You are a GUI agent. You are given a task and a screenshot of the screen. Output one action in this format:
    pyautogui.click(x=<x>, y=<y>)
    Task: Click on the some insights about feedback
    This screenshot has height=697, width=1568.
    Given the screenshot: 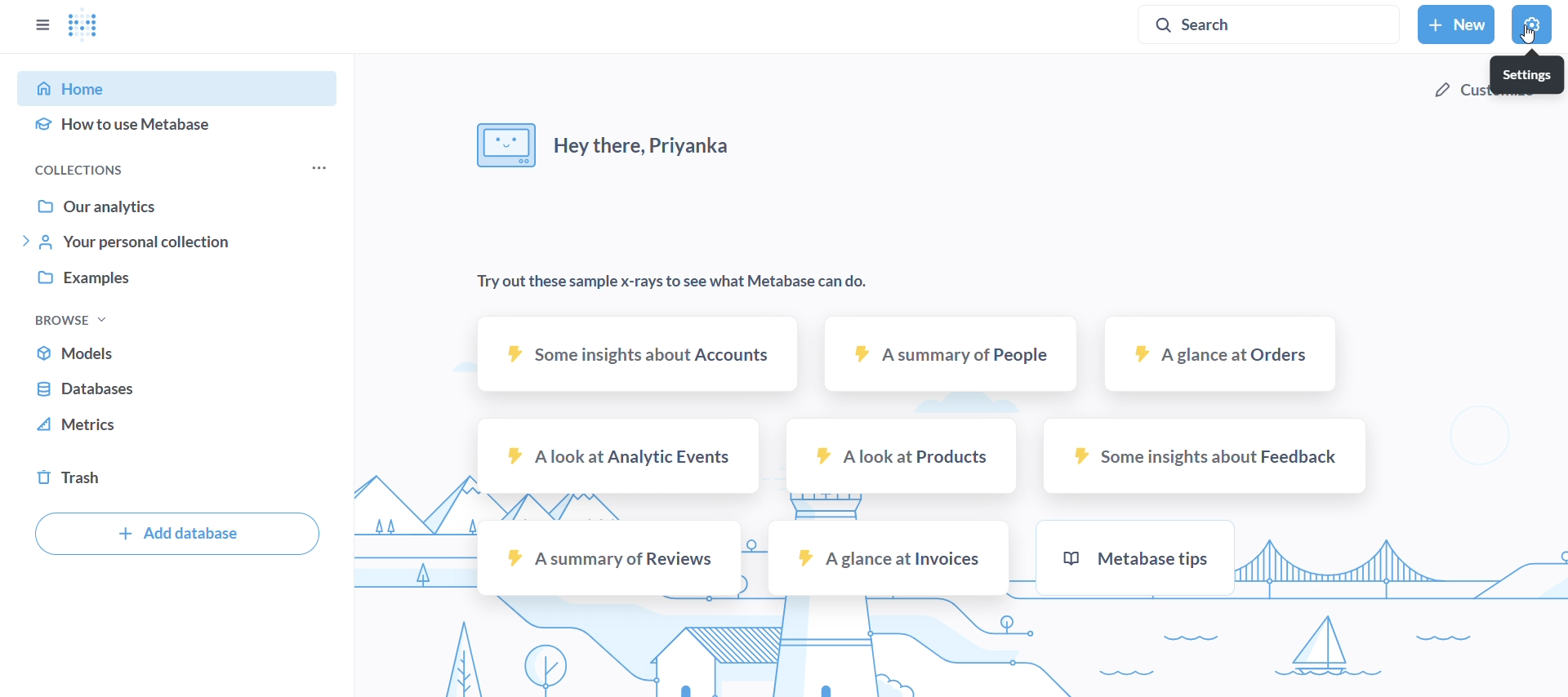 What is the action you would take?
    pyautogui.click(x=1205, y=454)
    